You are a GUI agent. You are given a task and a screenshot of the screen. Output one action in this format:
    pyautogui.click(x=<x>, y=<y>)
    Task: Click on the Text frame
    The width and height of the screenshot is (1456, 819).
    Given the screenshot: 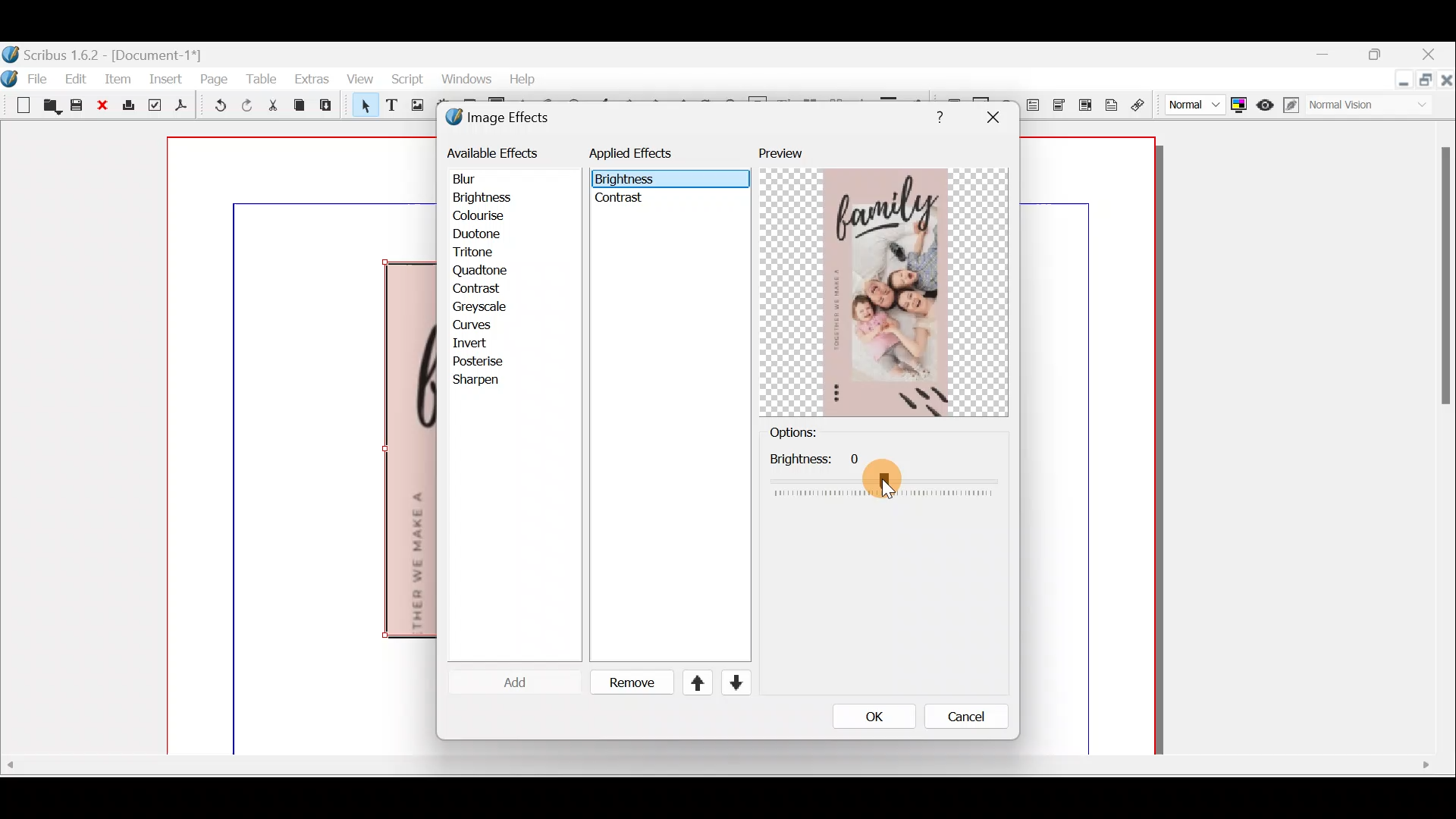 What is the action you would take?
    pyautogui.click(x=391, y=106)
    